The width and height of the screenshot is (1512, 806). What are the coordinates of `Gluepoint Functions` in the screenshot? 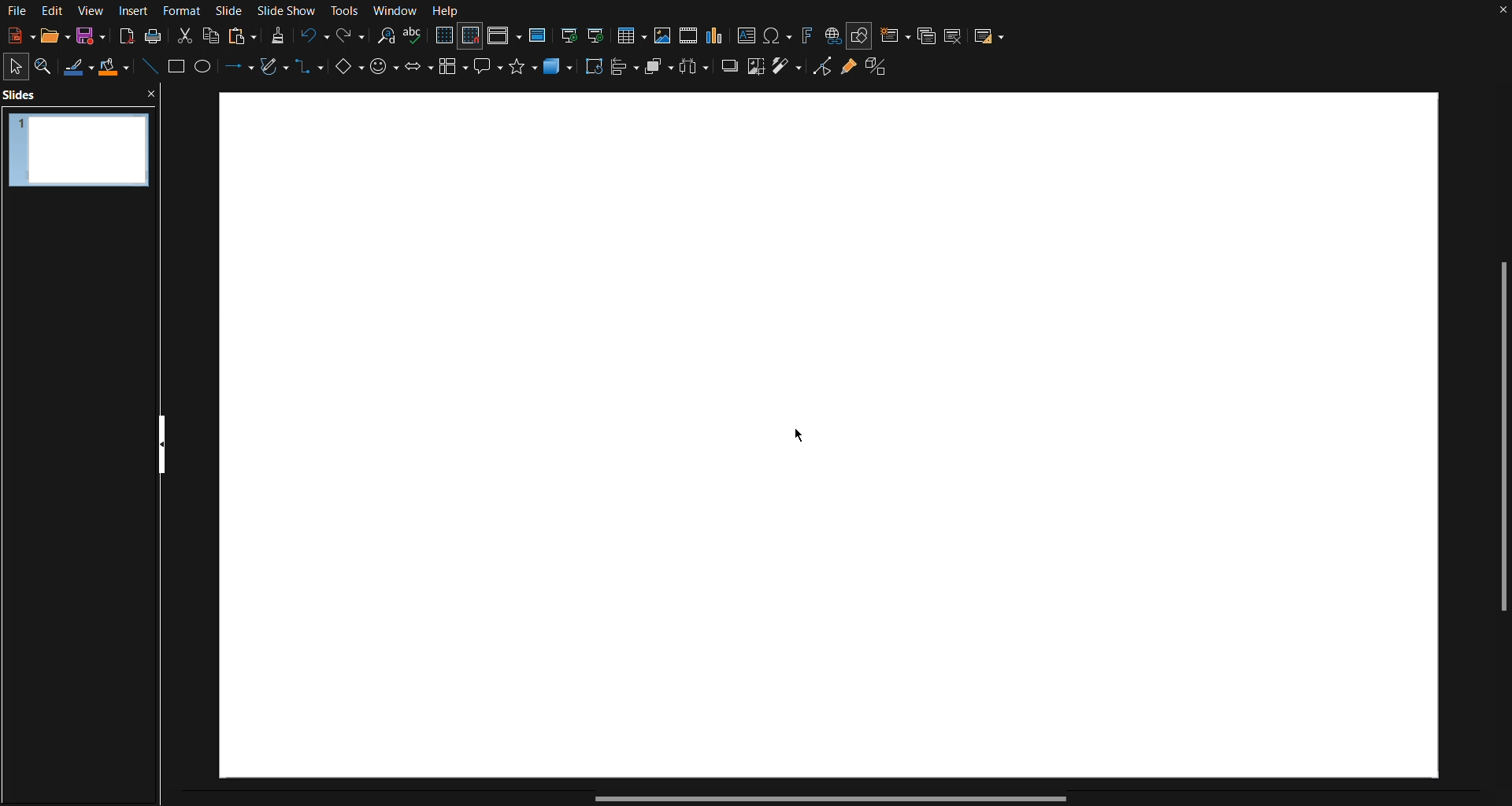 It's located at (848, 72).